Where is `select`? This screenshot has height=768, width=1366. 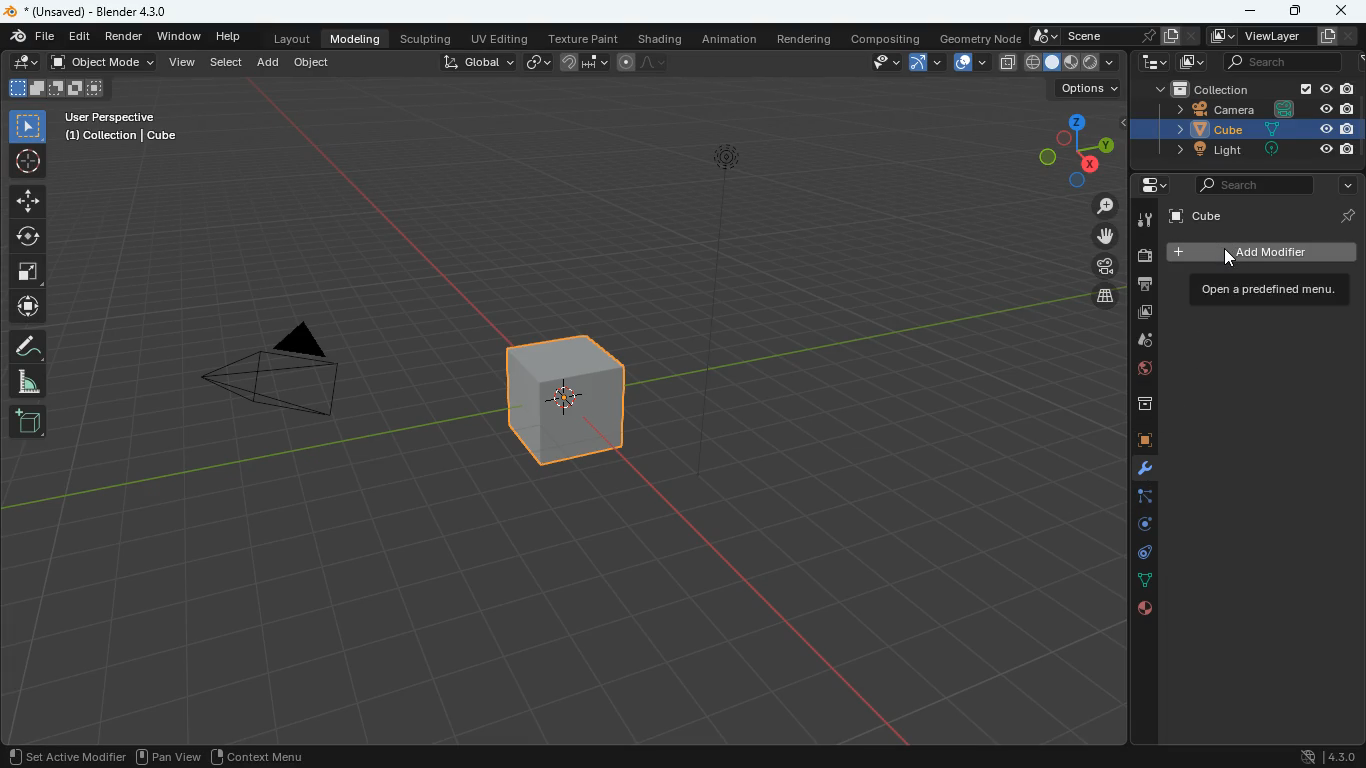
select is located at coordinates (26, 126).